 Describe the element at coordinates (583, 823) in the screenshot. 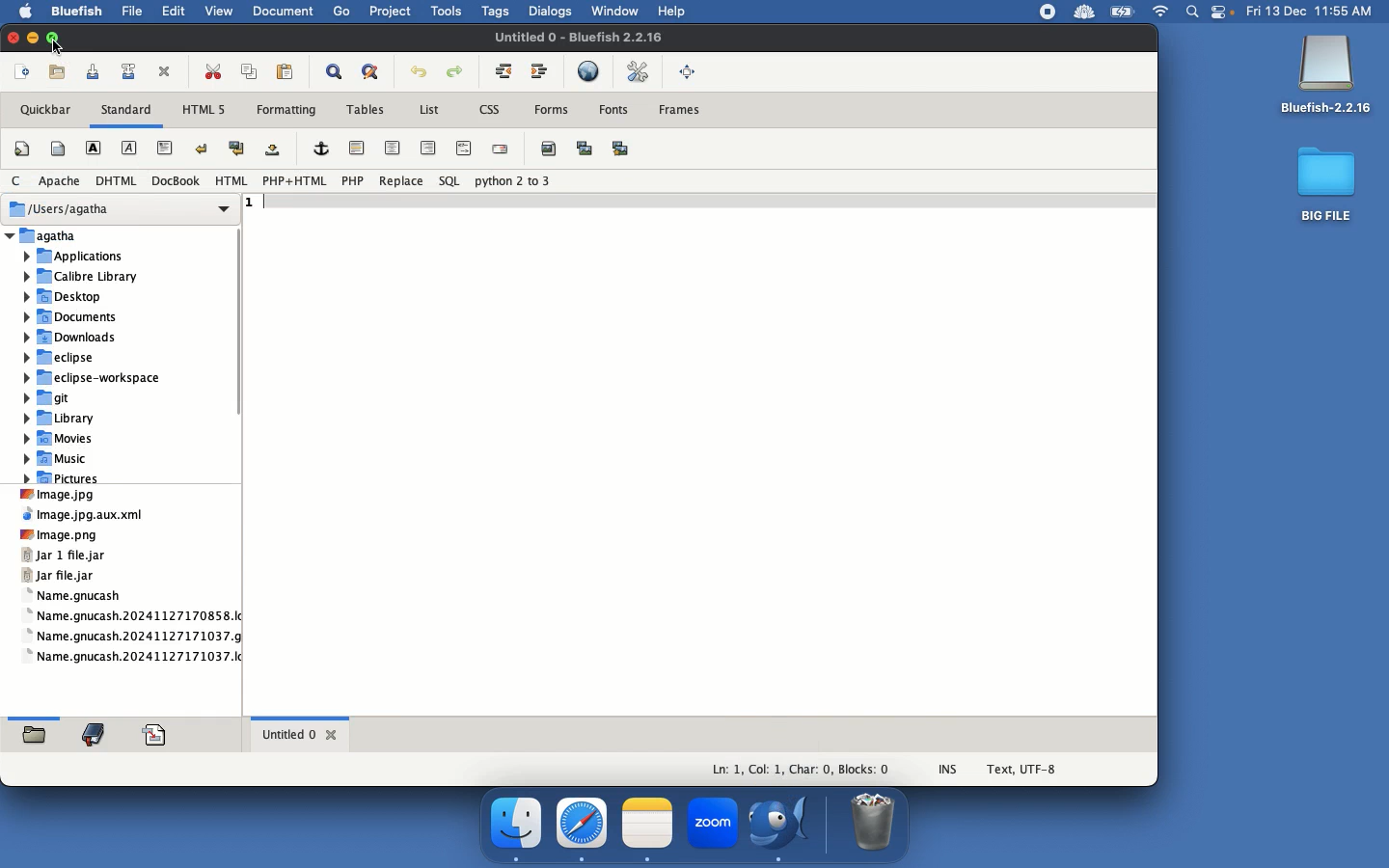

I see `safari` at that location.